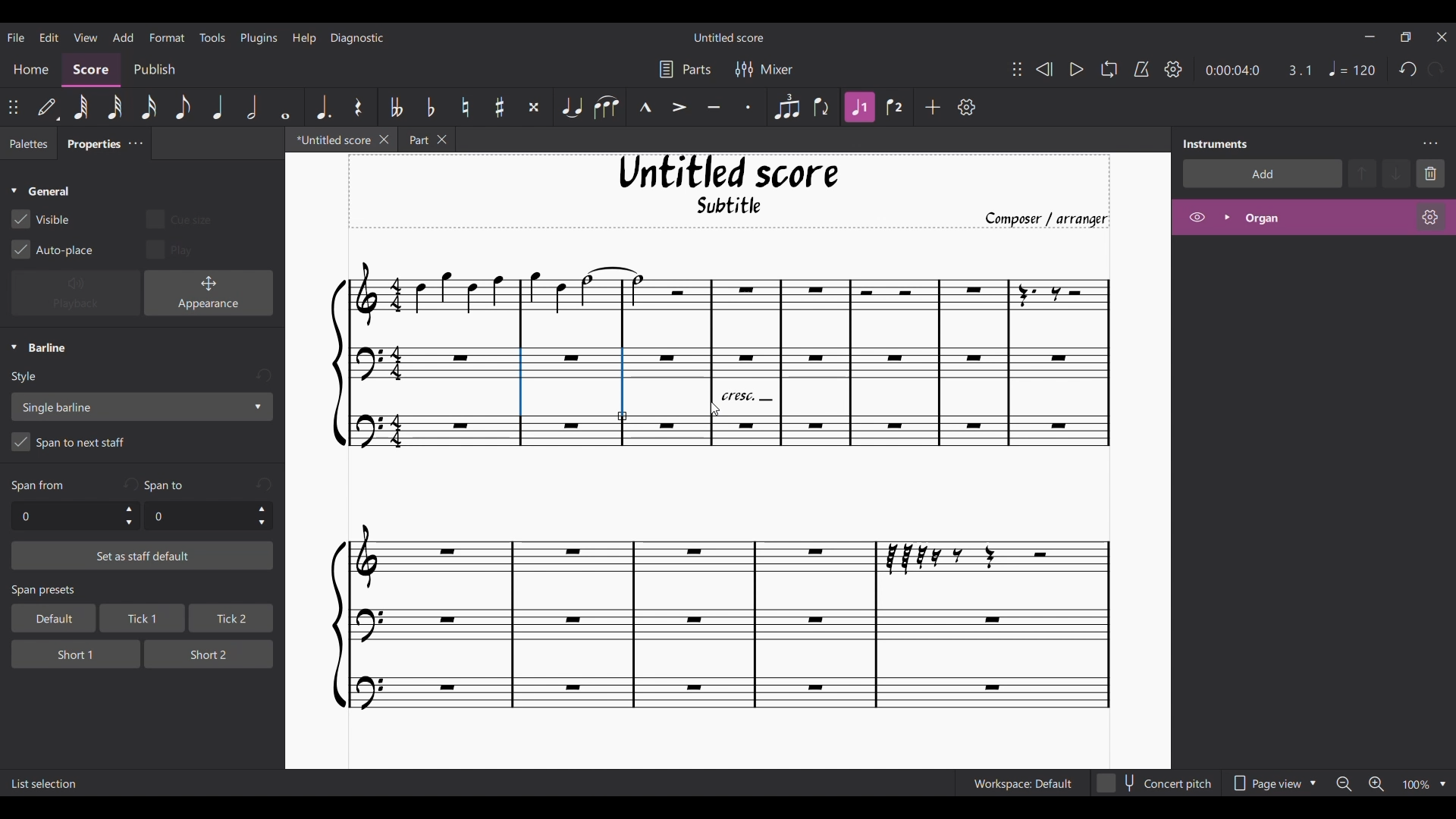 The image size is (1456, 819). What do you see at coordinates (64, 516) in the screenshot?
I see `Type in Span from` at bounding box center [64, 516].